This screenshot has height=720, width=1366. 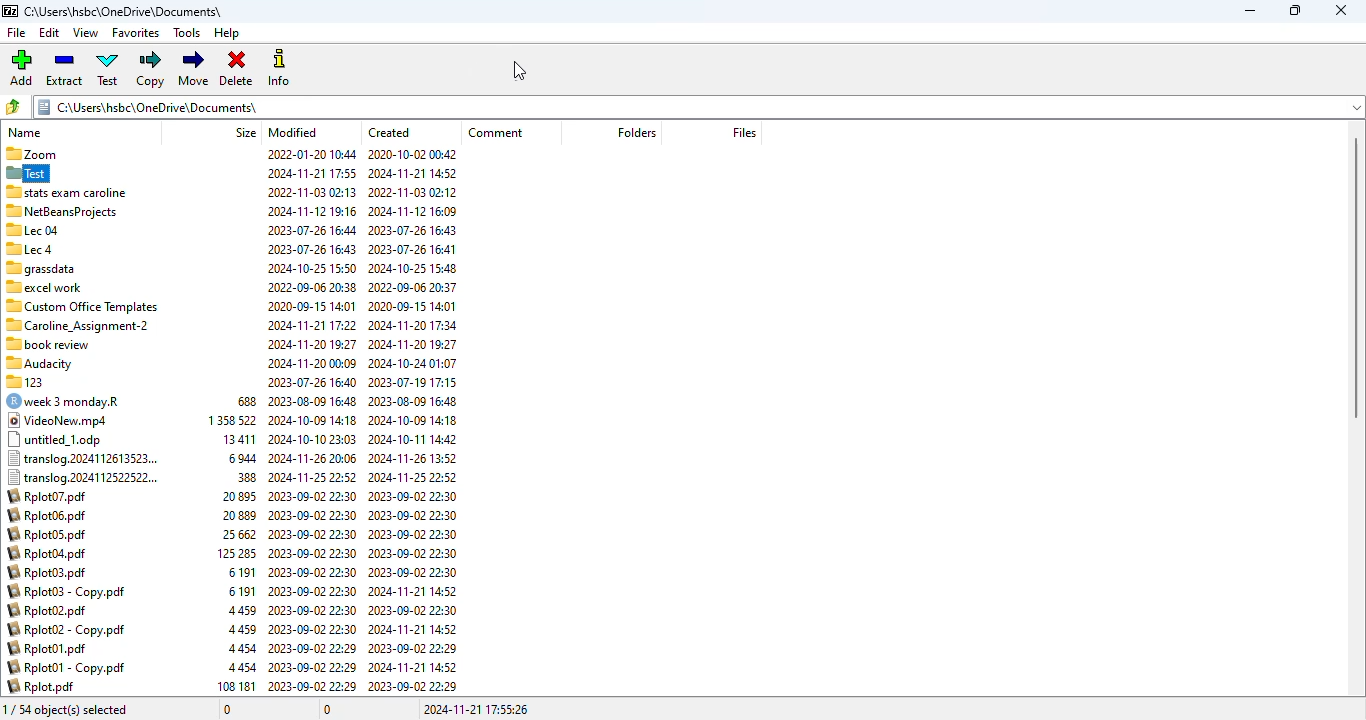 I want to click on Rplot03 - Copy.pdf, so click(x=66, y=590).